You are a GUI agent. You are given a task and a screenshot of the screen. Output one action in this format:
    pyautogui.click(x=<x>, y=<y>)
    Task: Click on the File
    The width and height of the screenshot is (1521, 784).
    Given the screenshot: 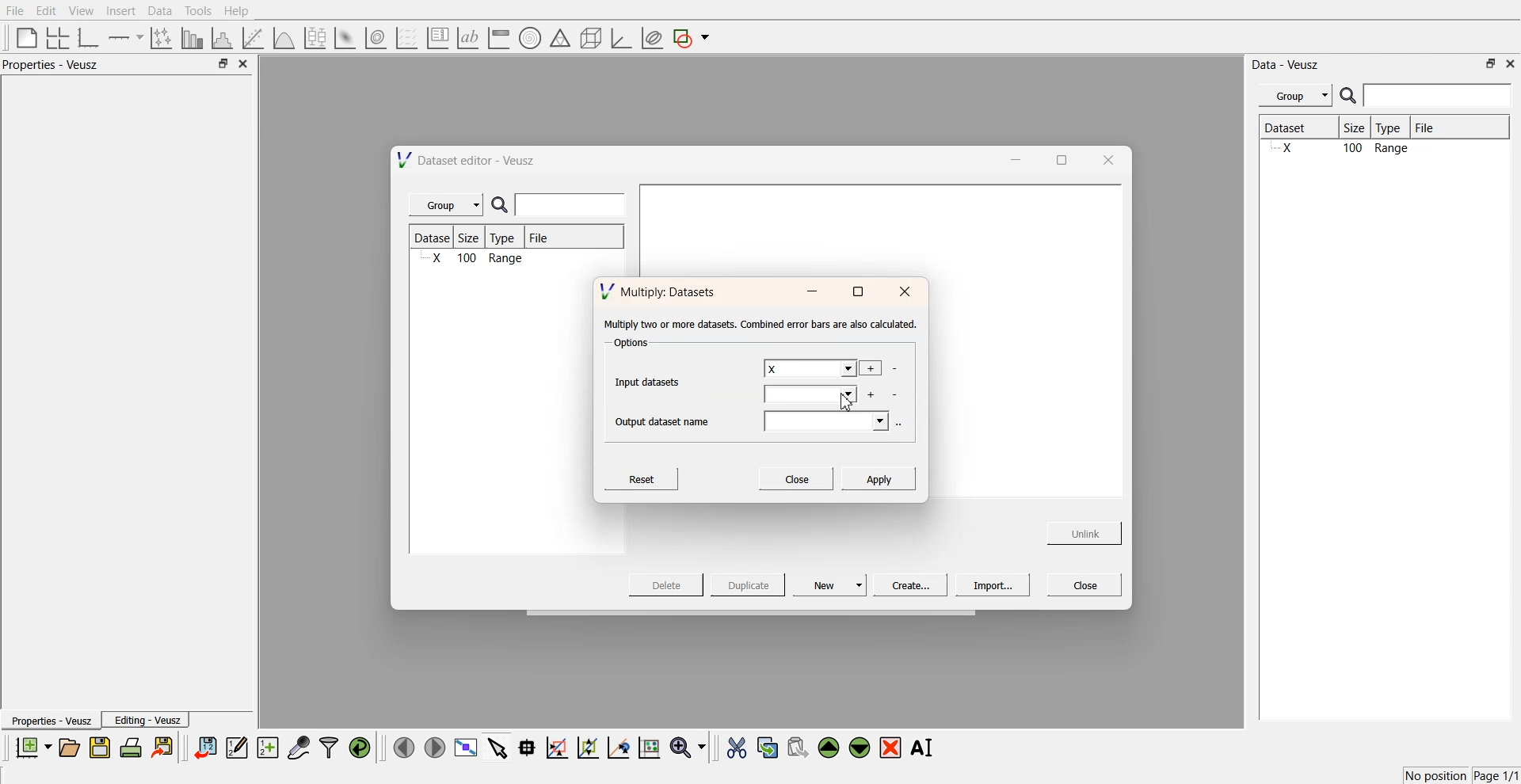 What is the action you would take?
    pyautogui.click(x=540, y=240)
    